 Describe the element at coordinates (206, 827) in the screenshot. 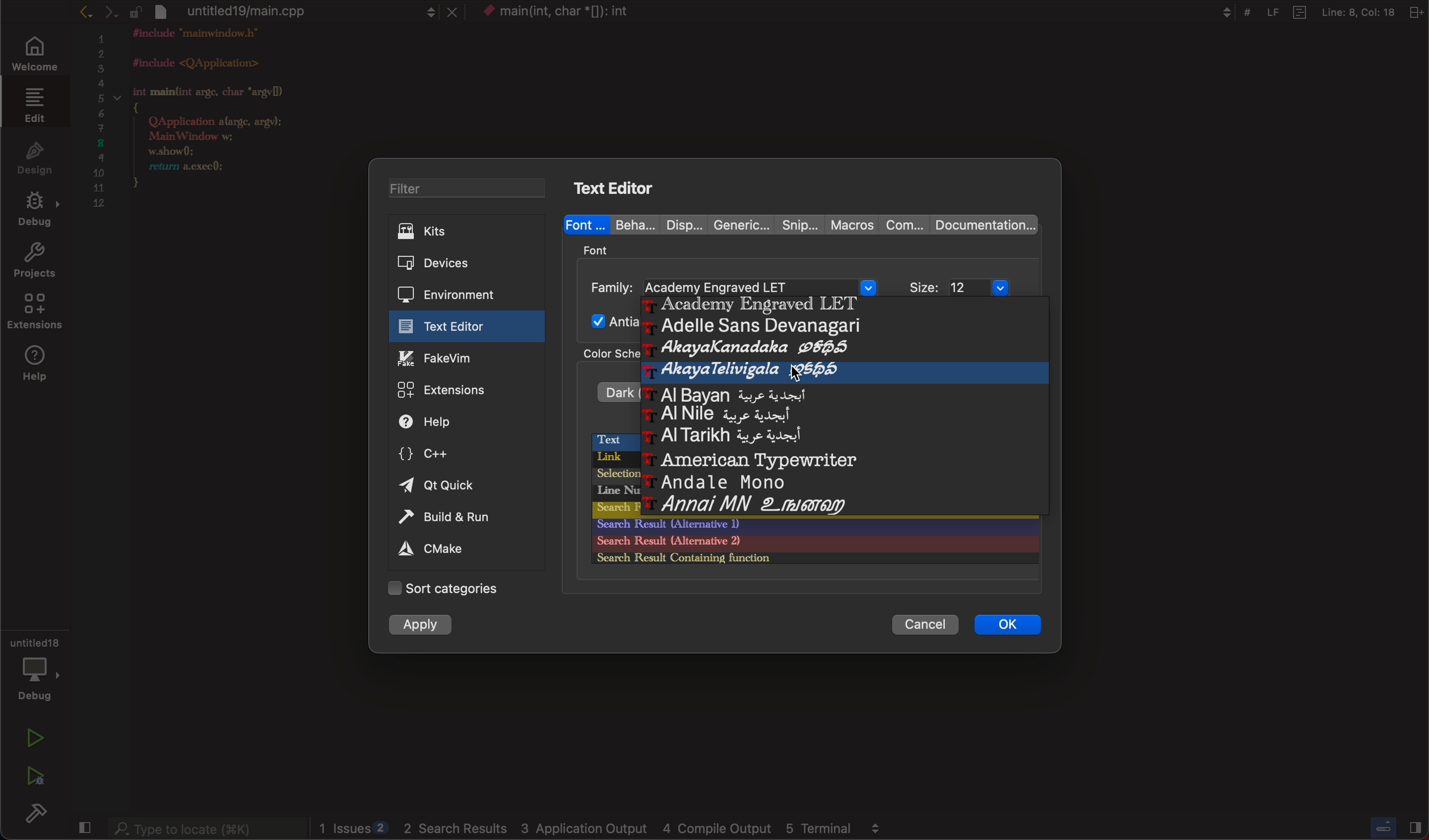

I see `searchbar` at that location.